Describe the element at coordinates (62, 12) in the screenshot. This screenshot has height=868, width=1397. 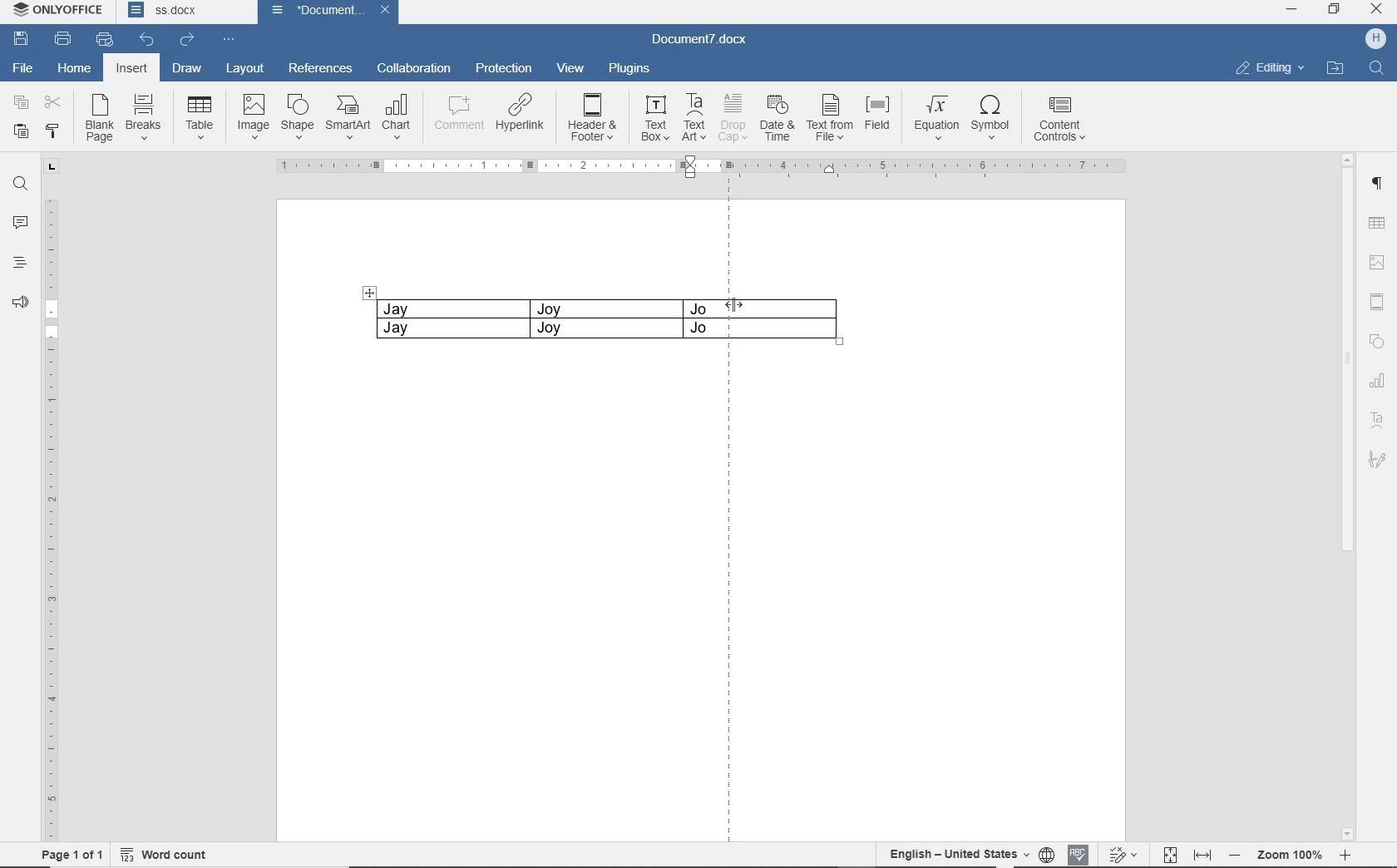
I see `SYSTEM NAME` at that location.